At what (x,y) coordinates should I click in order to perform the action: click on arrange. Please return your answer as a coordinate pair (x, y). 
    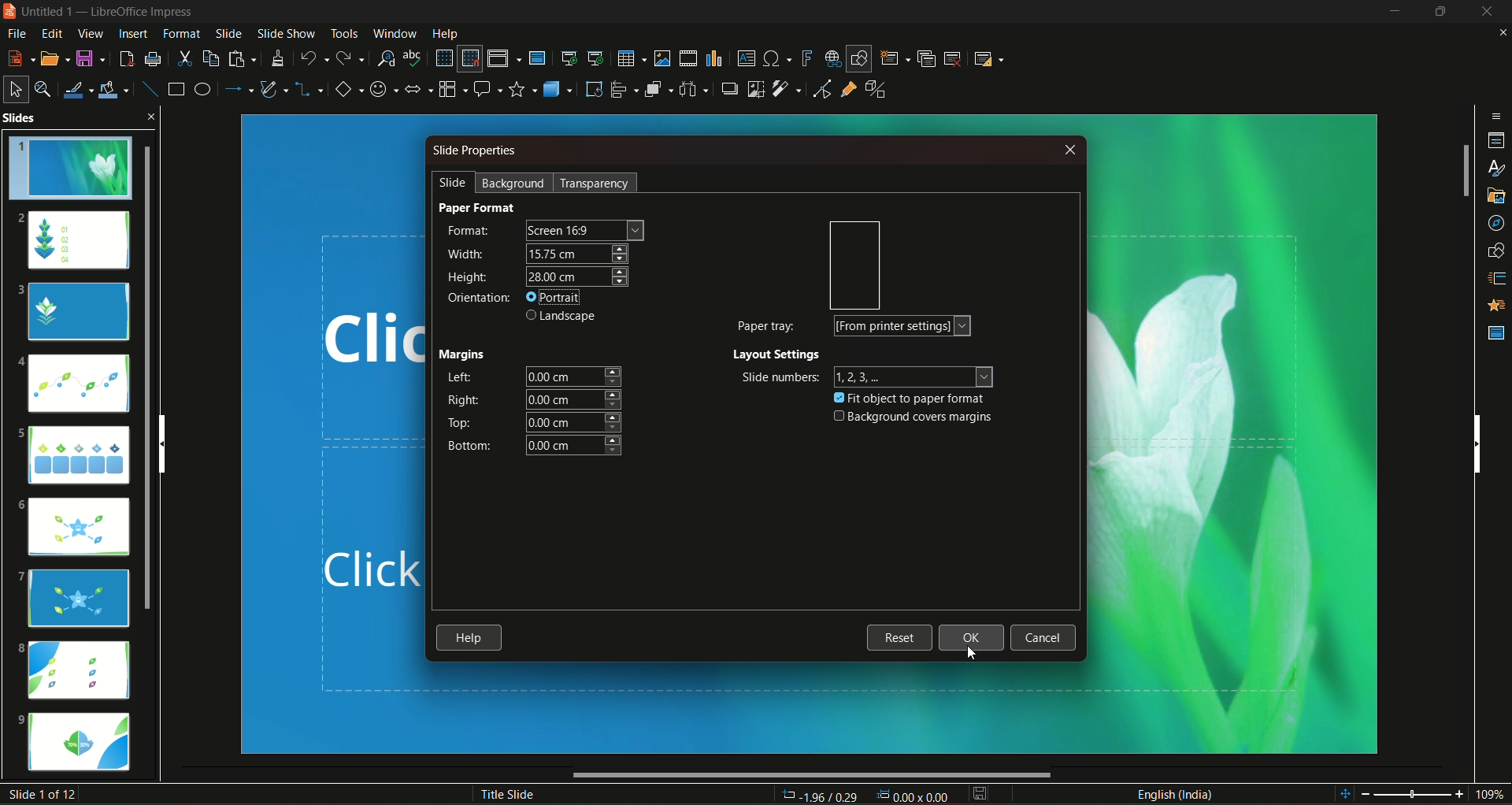
    Looking at the image, I should click on (658, 91).